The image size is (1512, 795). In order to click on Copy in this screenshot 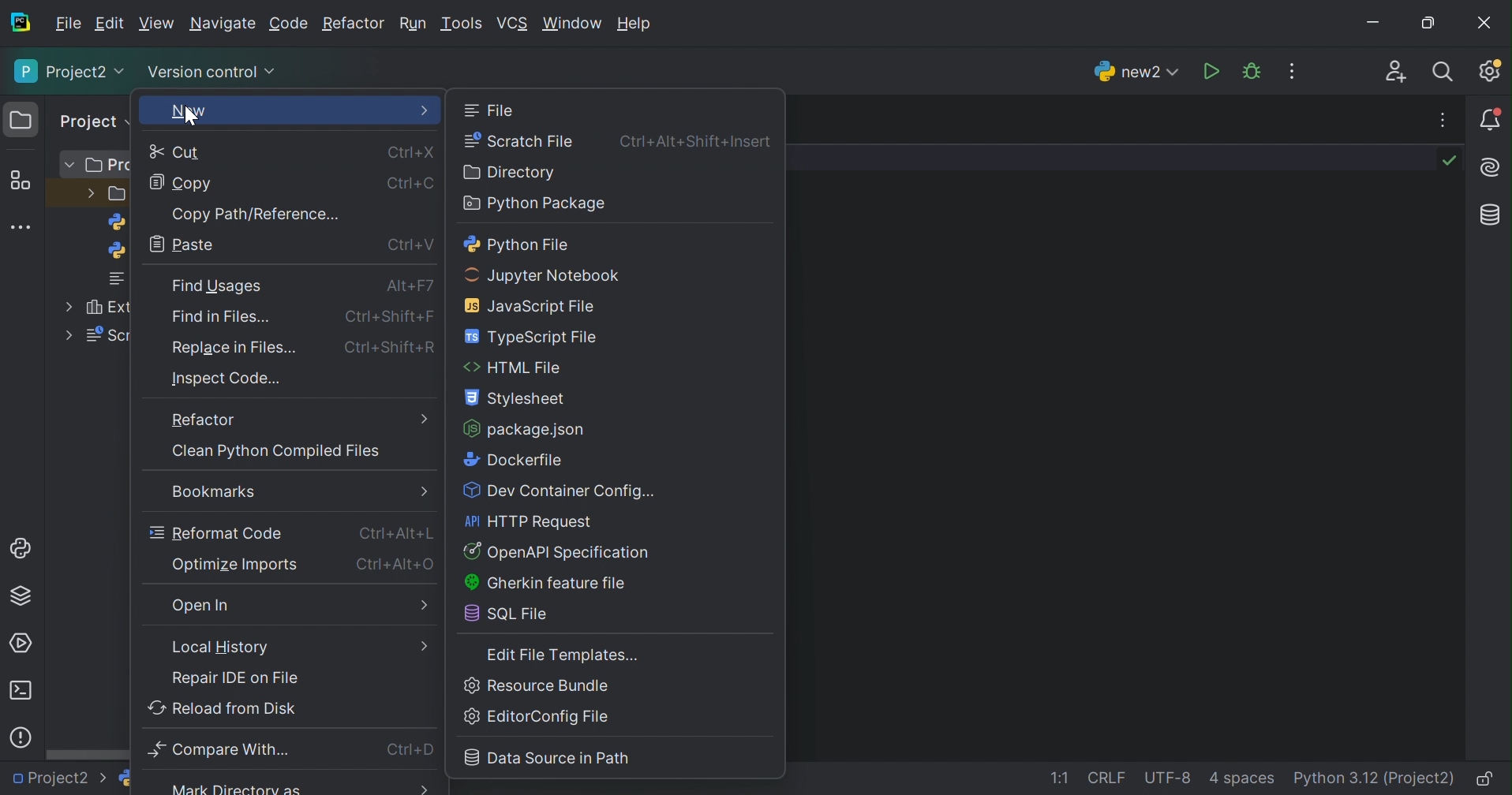, I will do `click(182, 185)`.